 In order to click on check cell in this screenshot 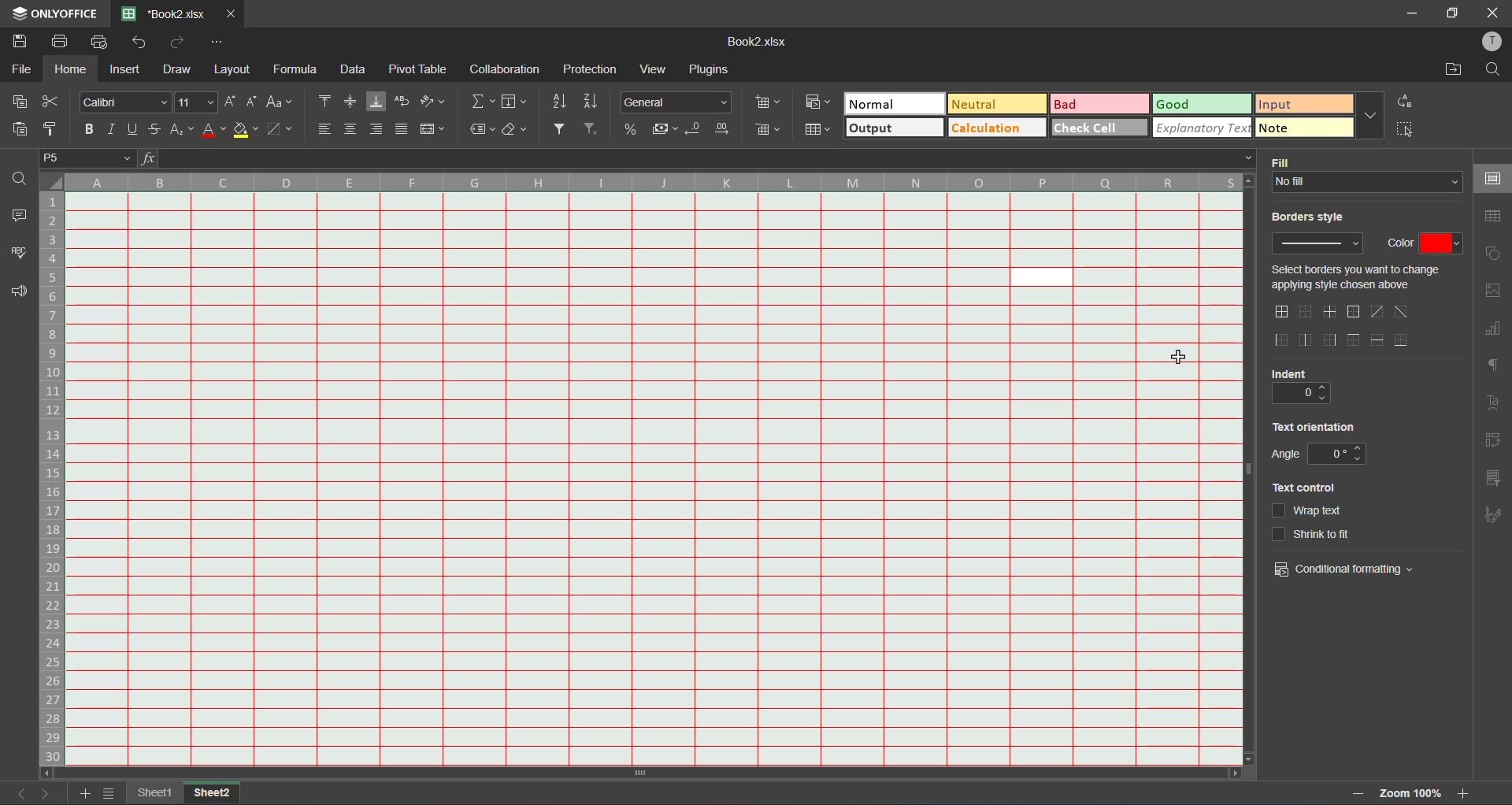, I will do `click(1097, 125)`.